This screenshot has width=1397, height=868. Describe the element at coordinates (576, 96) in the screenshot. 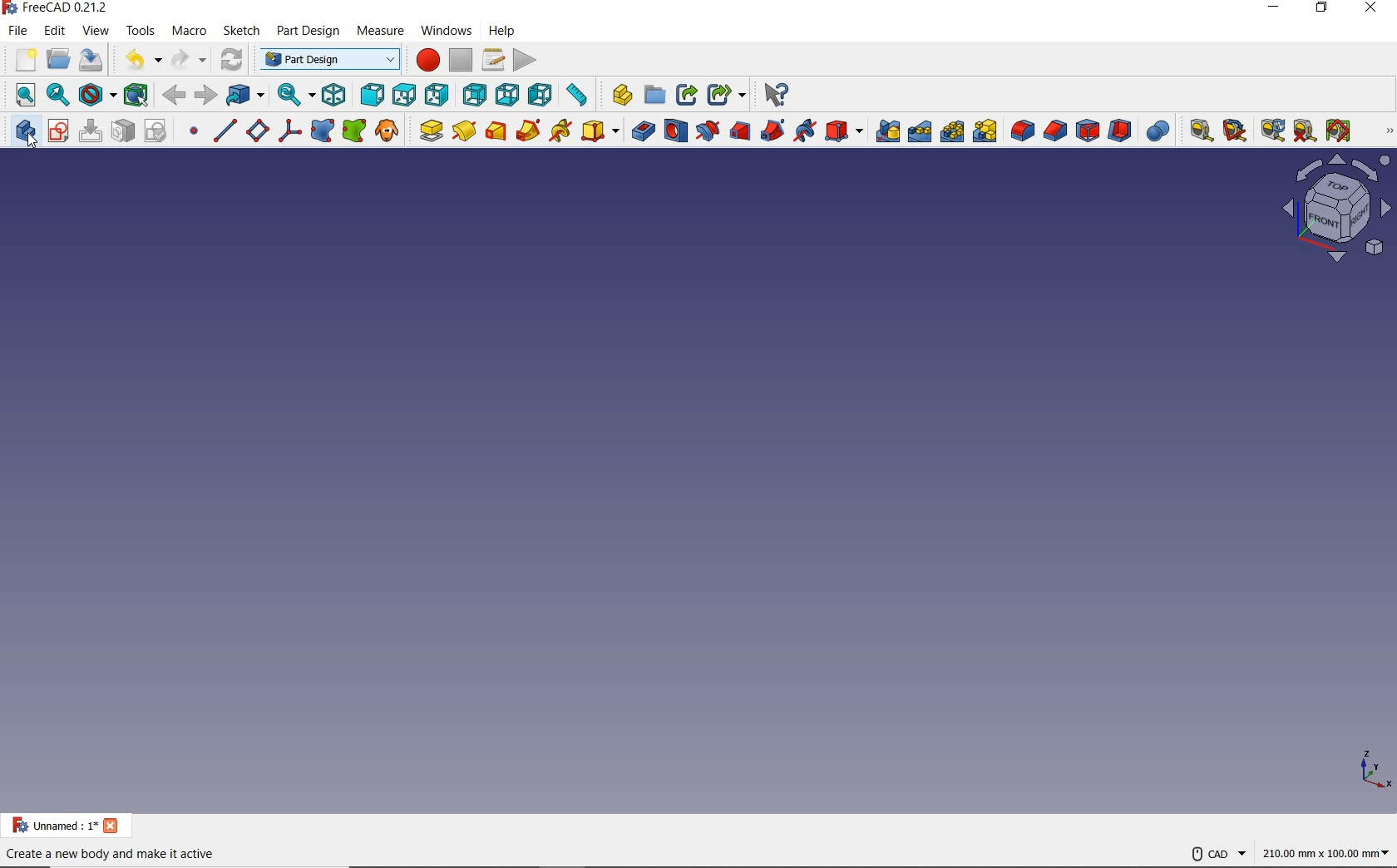

I see `measure distance` at that location.